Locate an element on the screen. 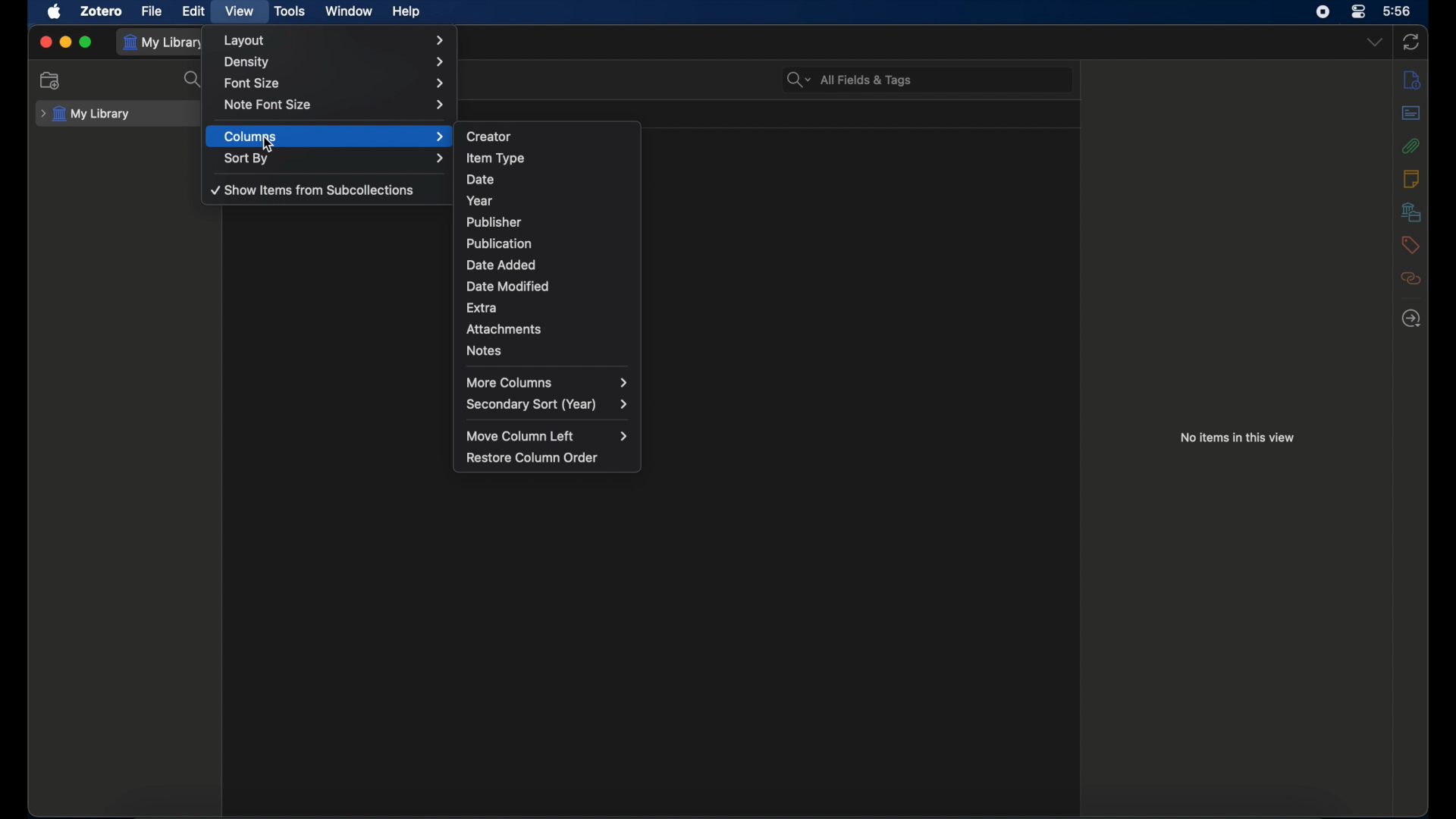 This screenshot has width=1456, height=819. close is located at coordinates (45, 42).